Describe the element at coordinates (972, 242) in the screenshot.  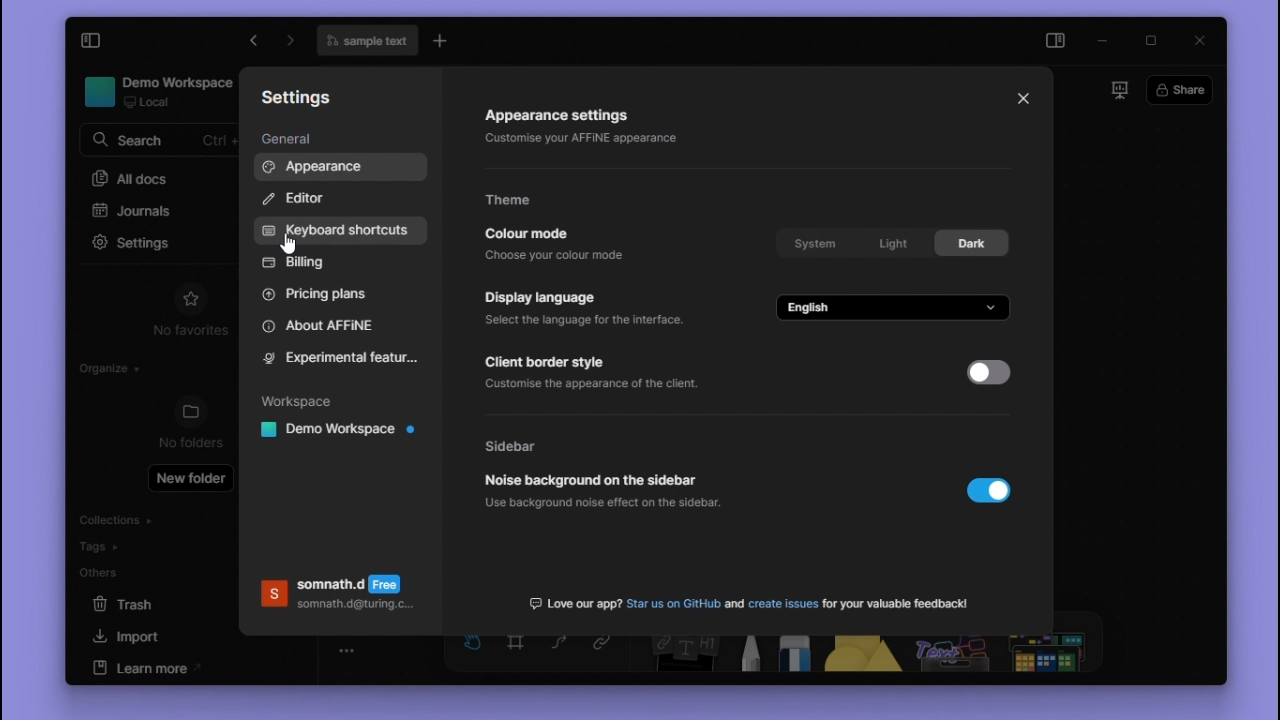
I see `Dark` at that location.